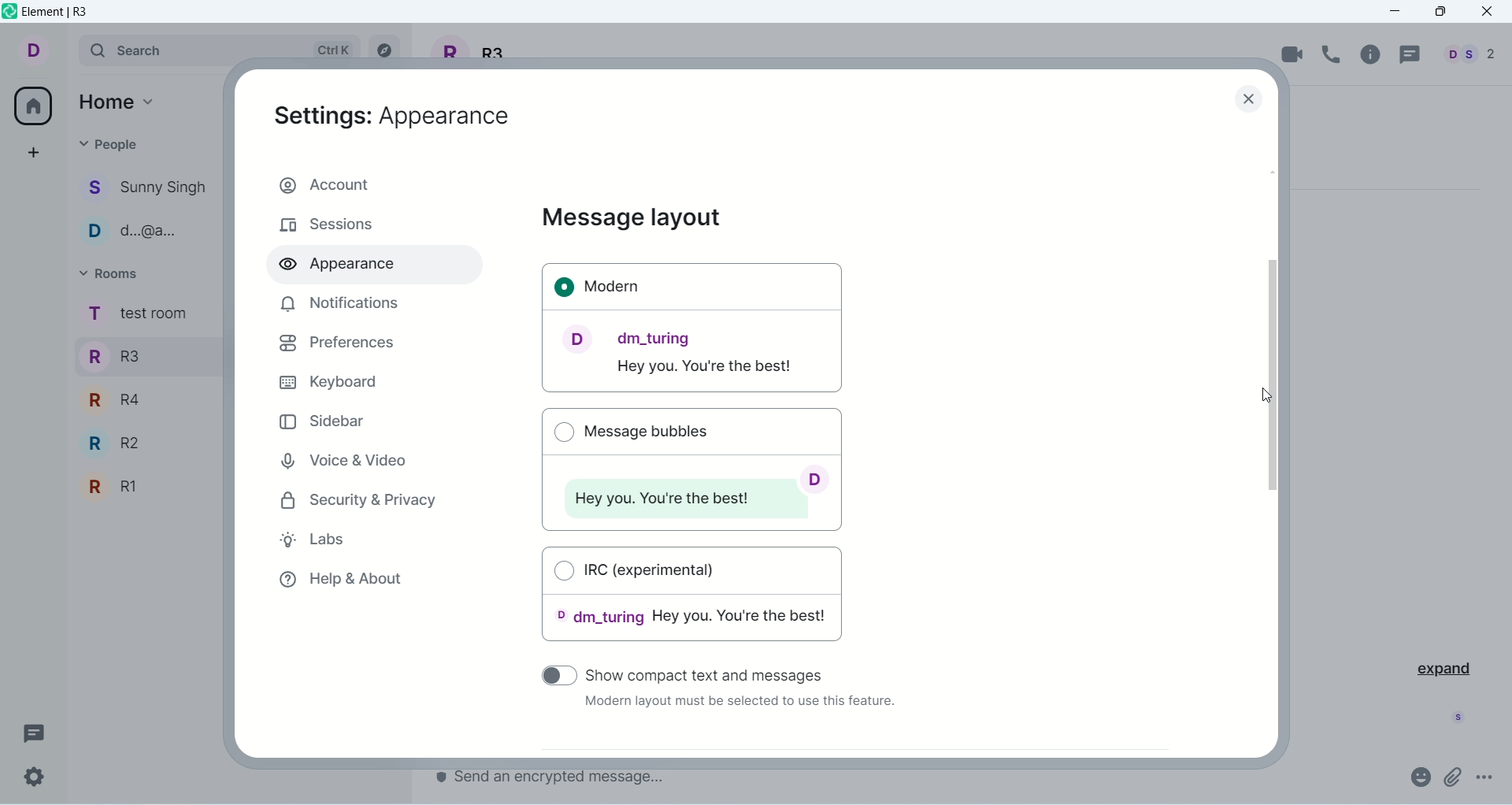 The height and width of the screenshot is (805, 1512). I want to click on emoji, so click(1419, 776).